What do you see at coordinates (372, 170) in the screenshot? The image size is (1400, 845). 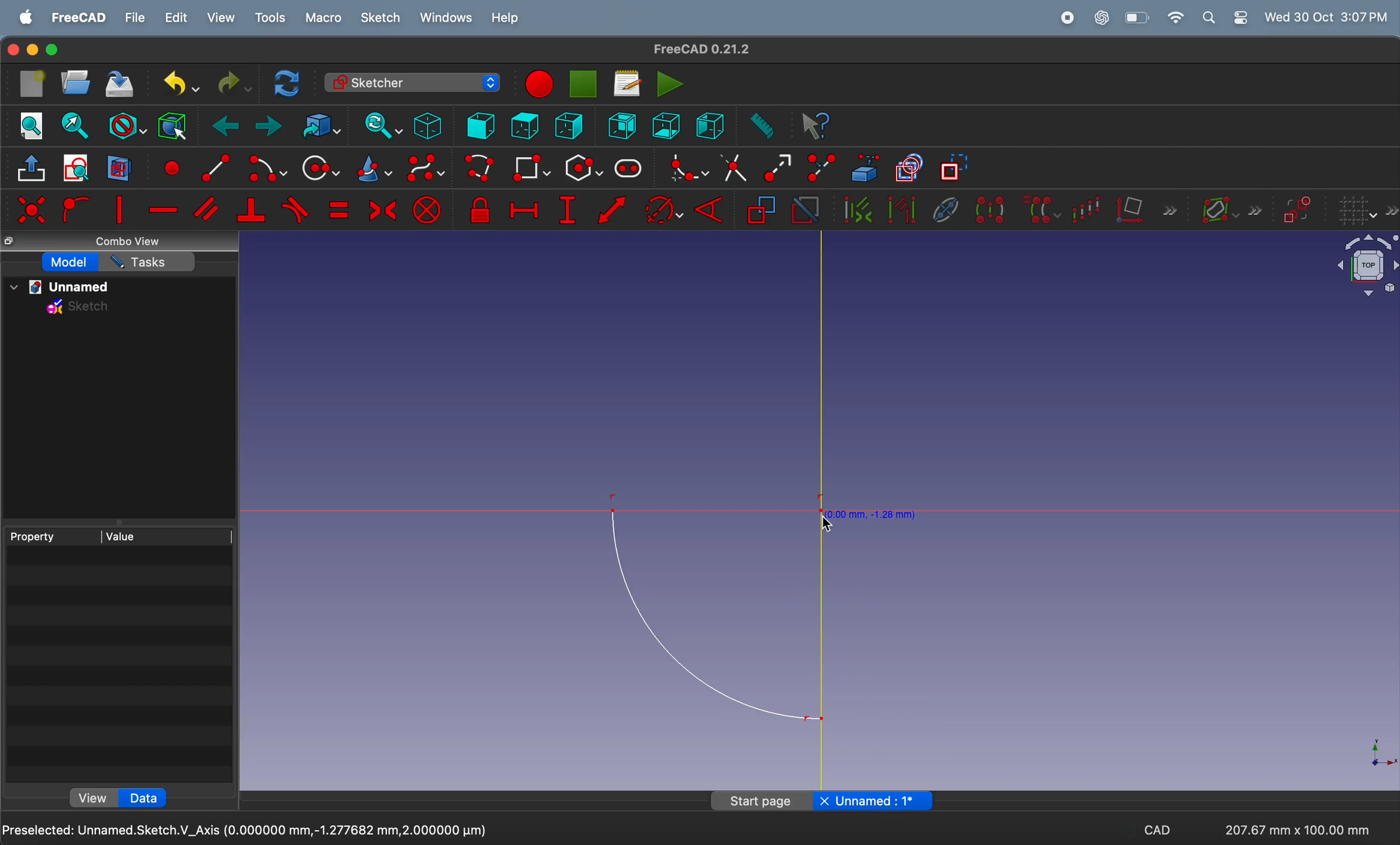 I see `create cone` at bounding box center [372, 170].